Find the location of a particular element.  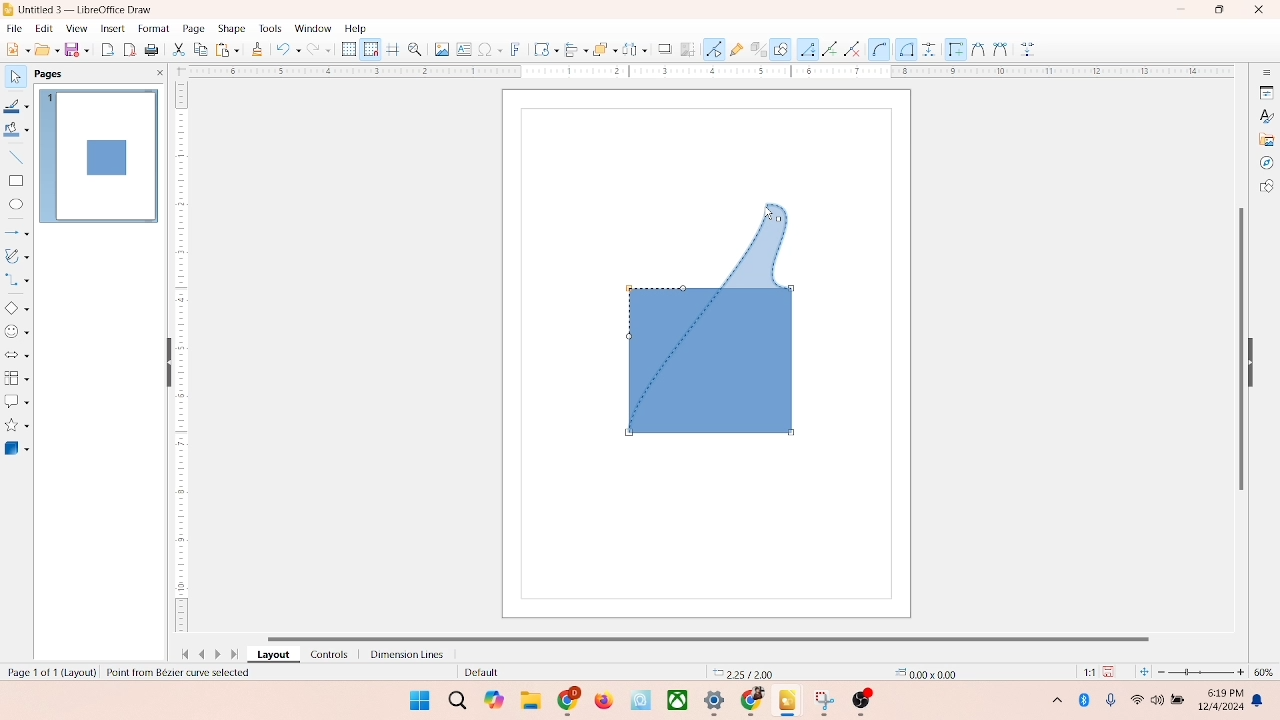

time and date is located at coordinates (1219, 697).